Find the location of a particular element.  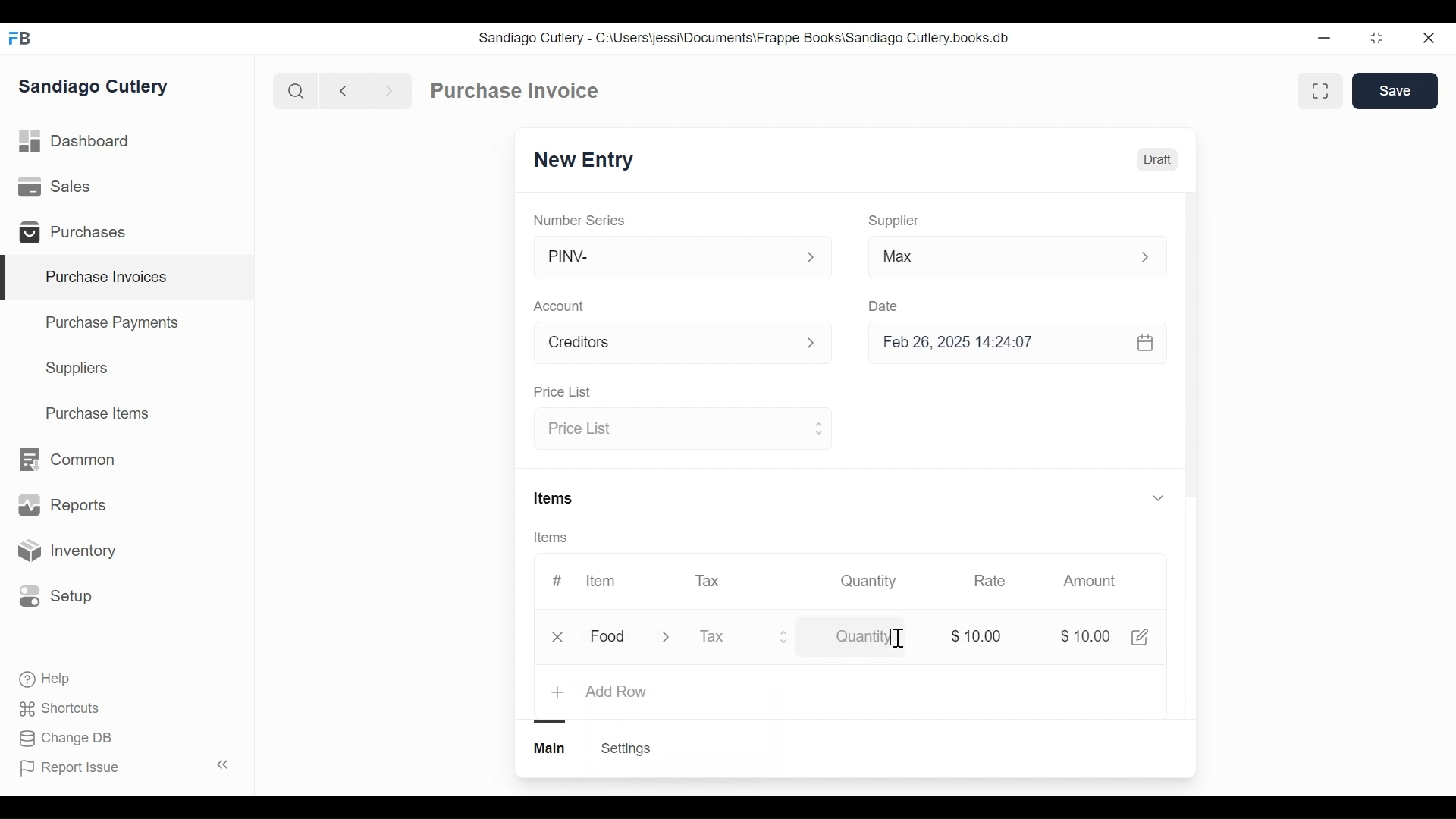

Naviagate back is located at coordinates (344, 89).